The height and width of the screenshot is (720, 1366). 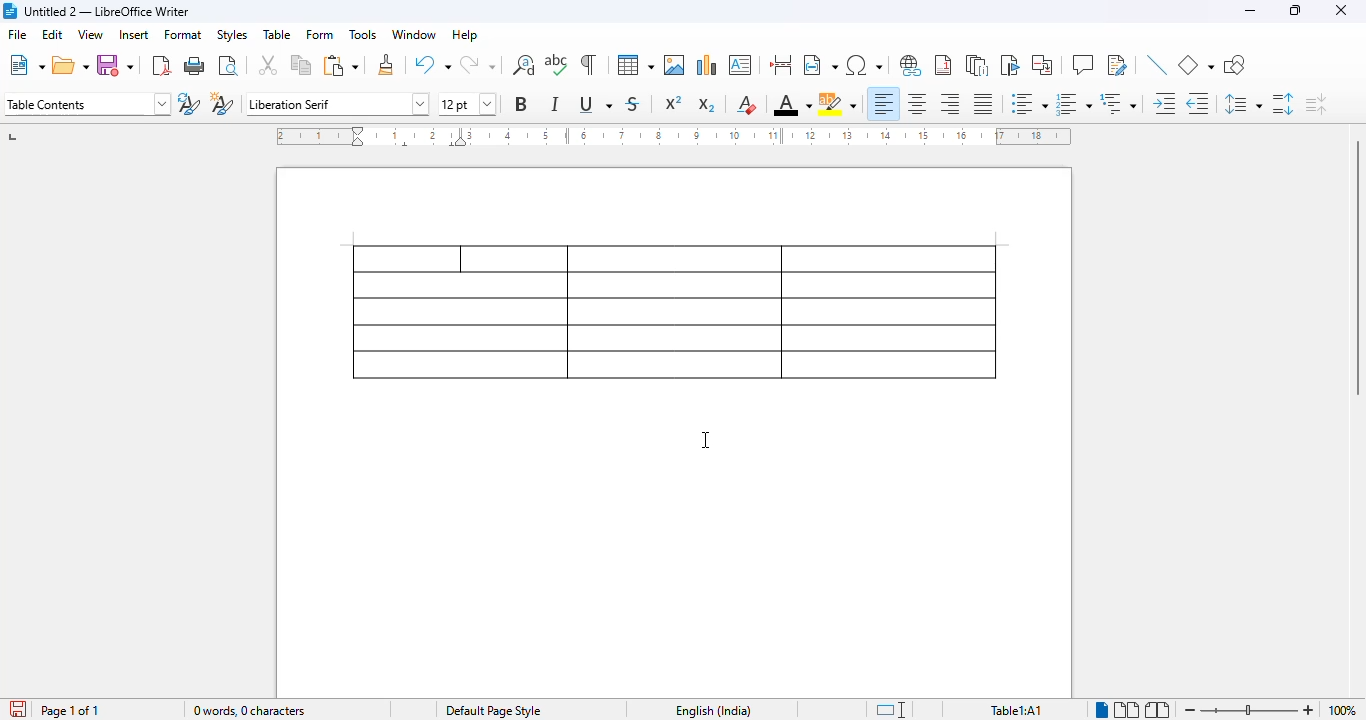 I want to click on book view, so click(x=1157, y=709).